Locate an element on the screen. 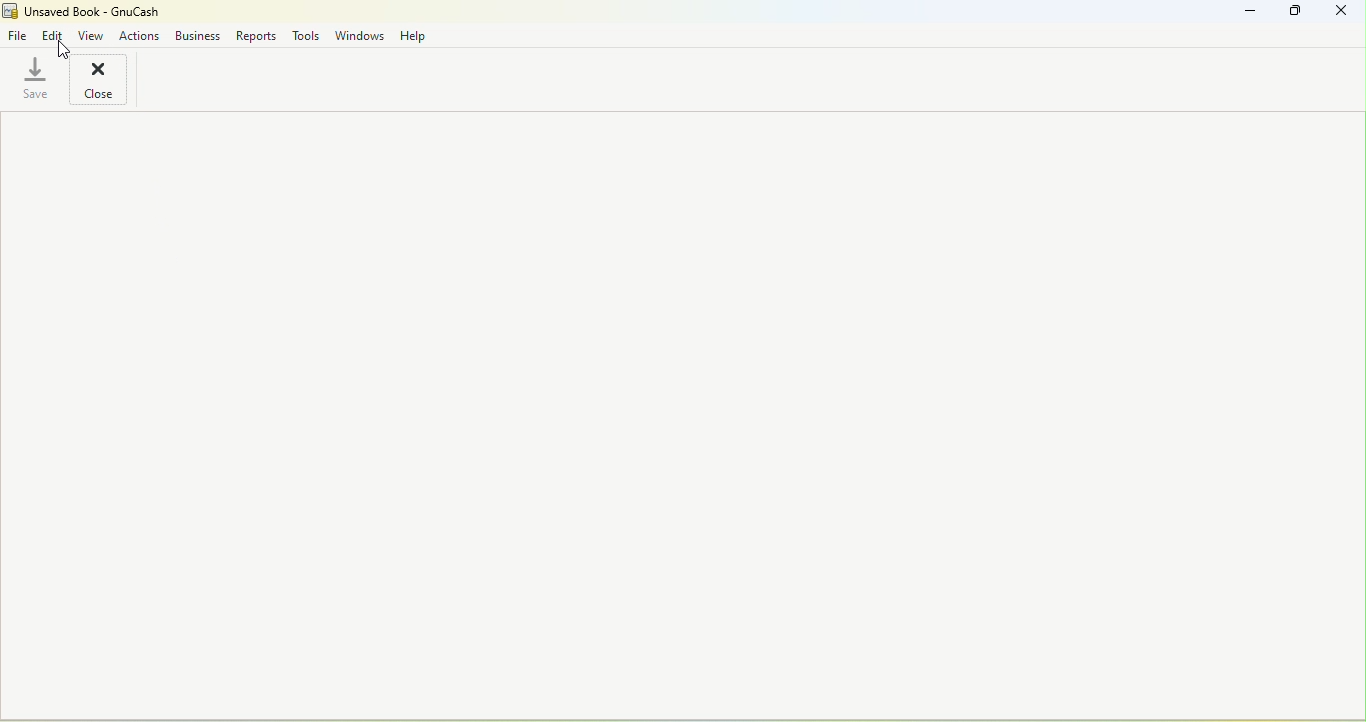  Edit is located at coordinates (53, 33).